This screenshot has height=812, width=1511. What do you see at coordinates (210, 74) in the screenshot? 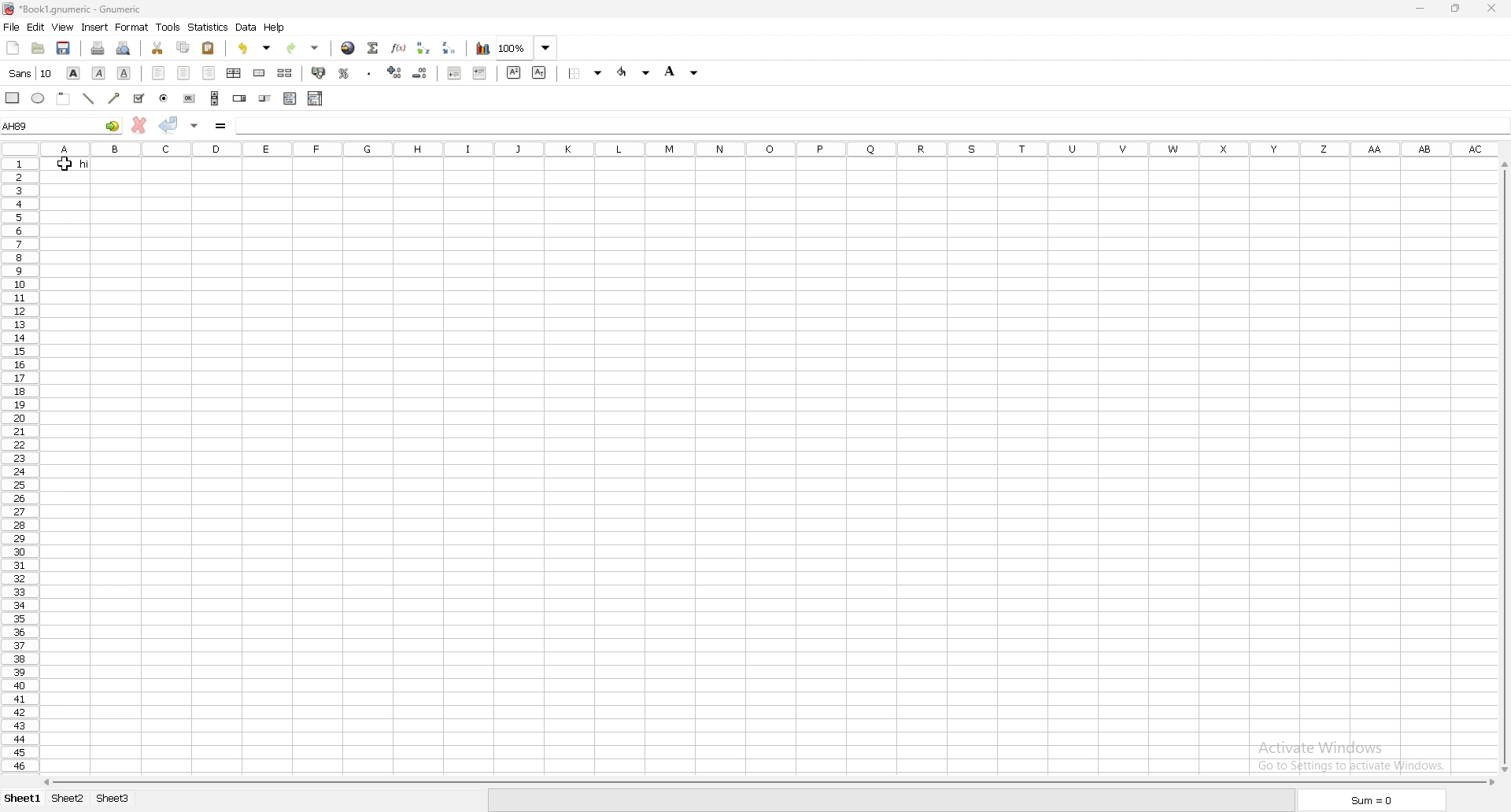
I see `align right` at bounding box center [210, 74].